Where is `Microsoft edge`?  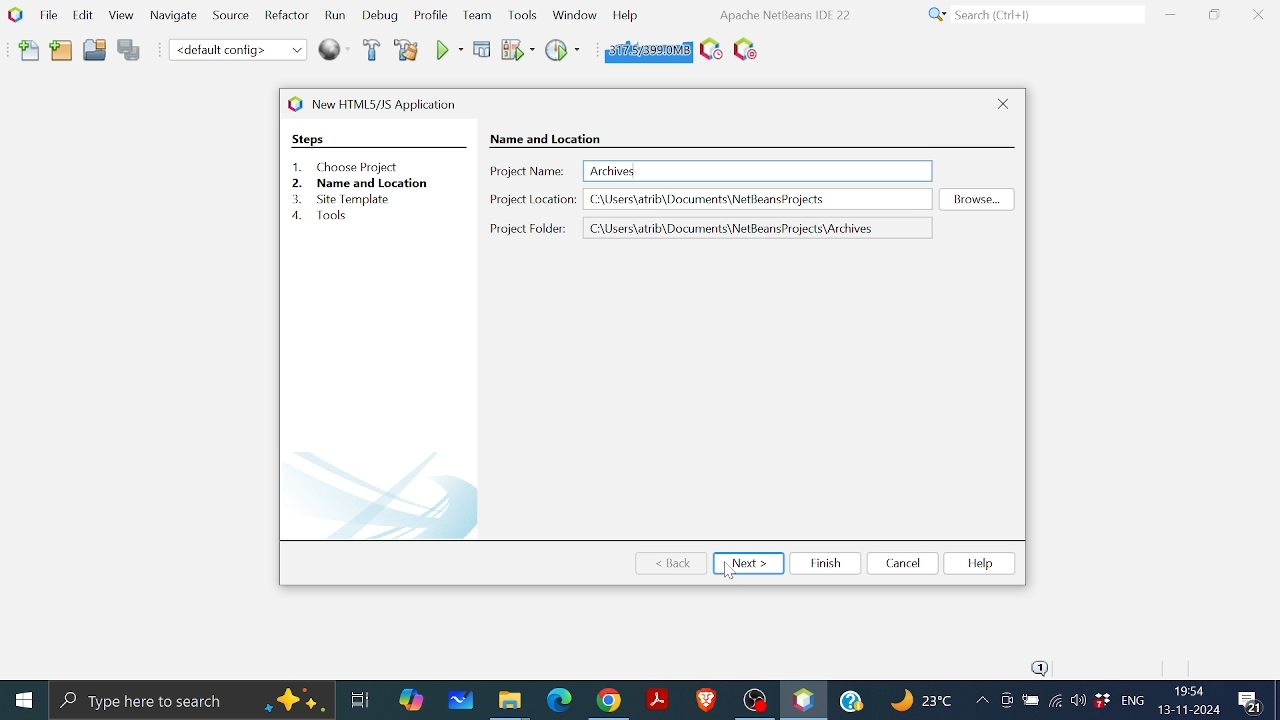
Microsoft edge is located at coordinates (557, 700).